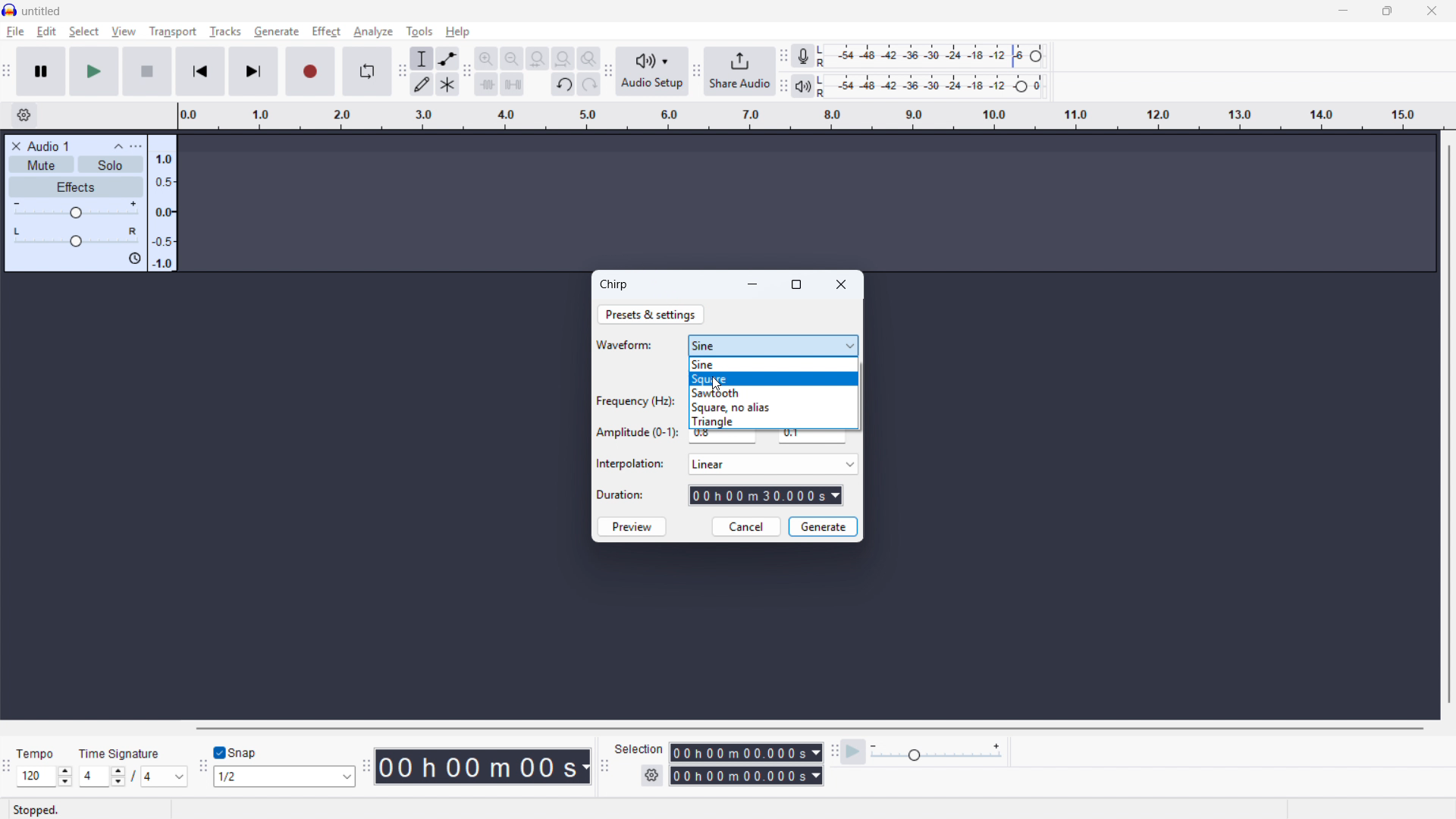  I want to click on Generate , so click(276, 31).